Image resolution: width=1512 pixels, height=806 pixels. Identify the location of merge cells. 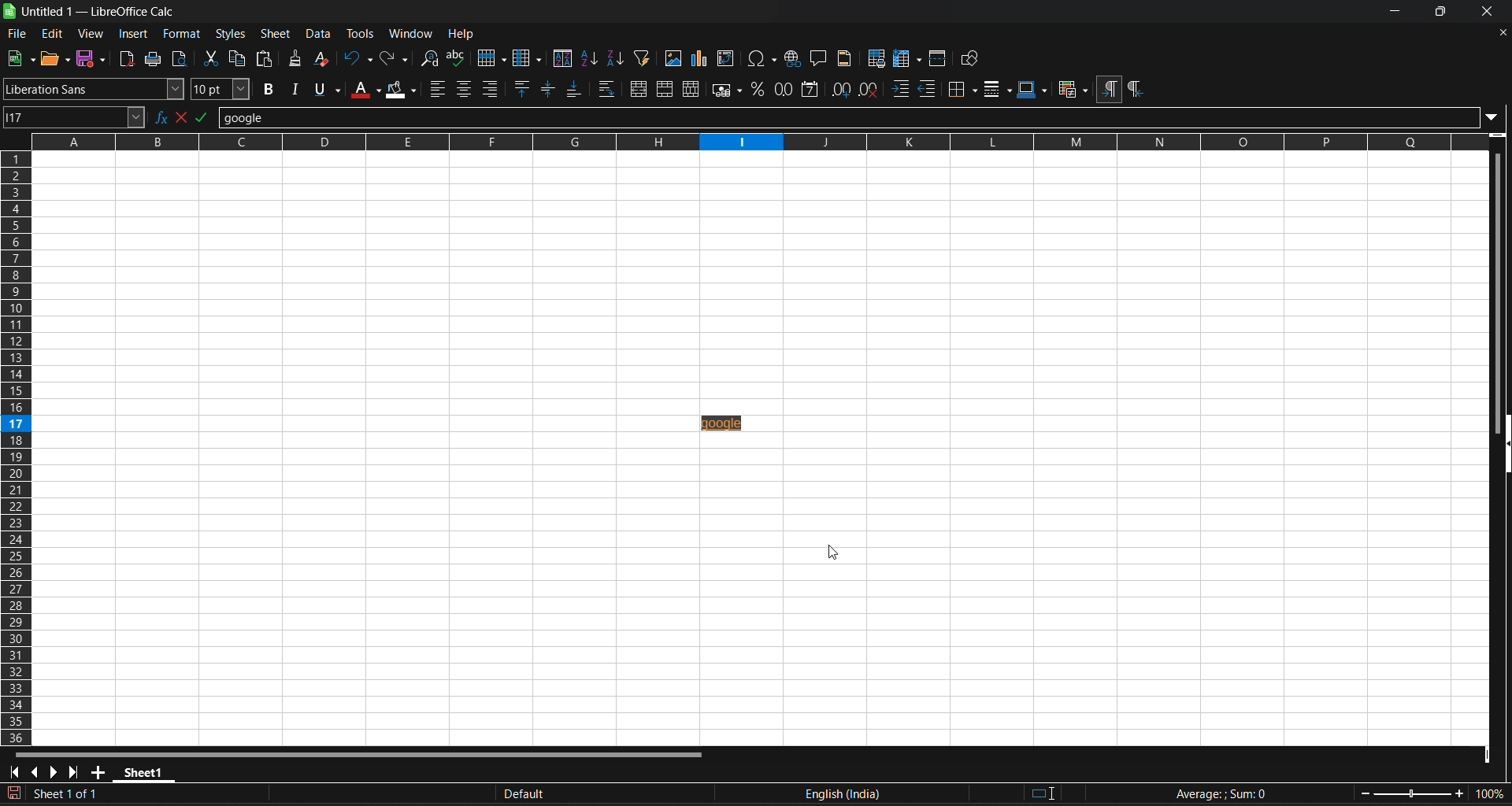
(665, 89).